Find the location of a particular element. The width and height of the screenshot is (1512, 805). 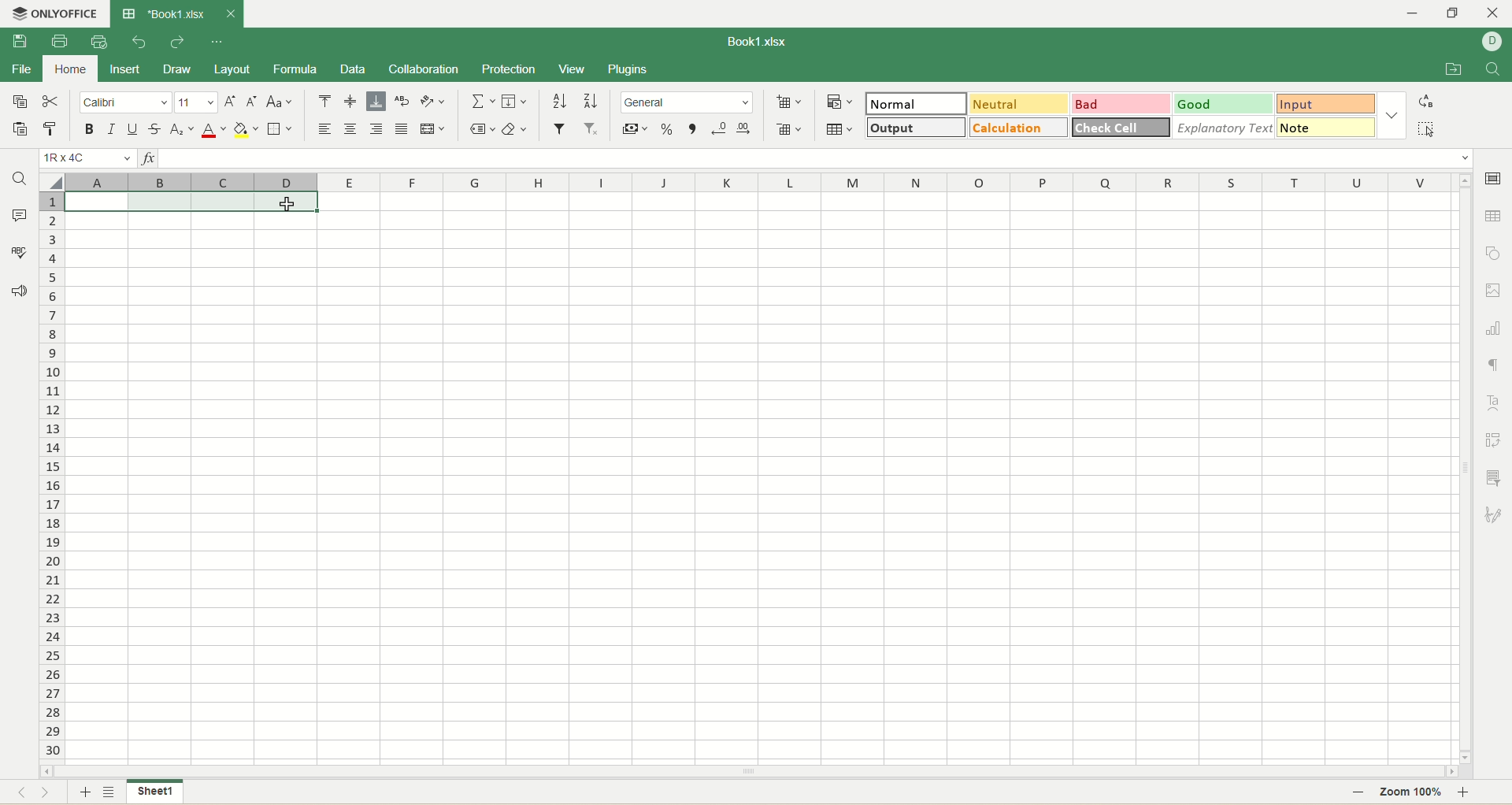

align bottom is located at coordinates (376, 102).